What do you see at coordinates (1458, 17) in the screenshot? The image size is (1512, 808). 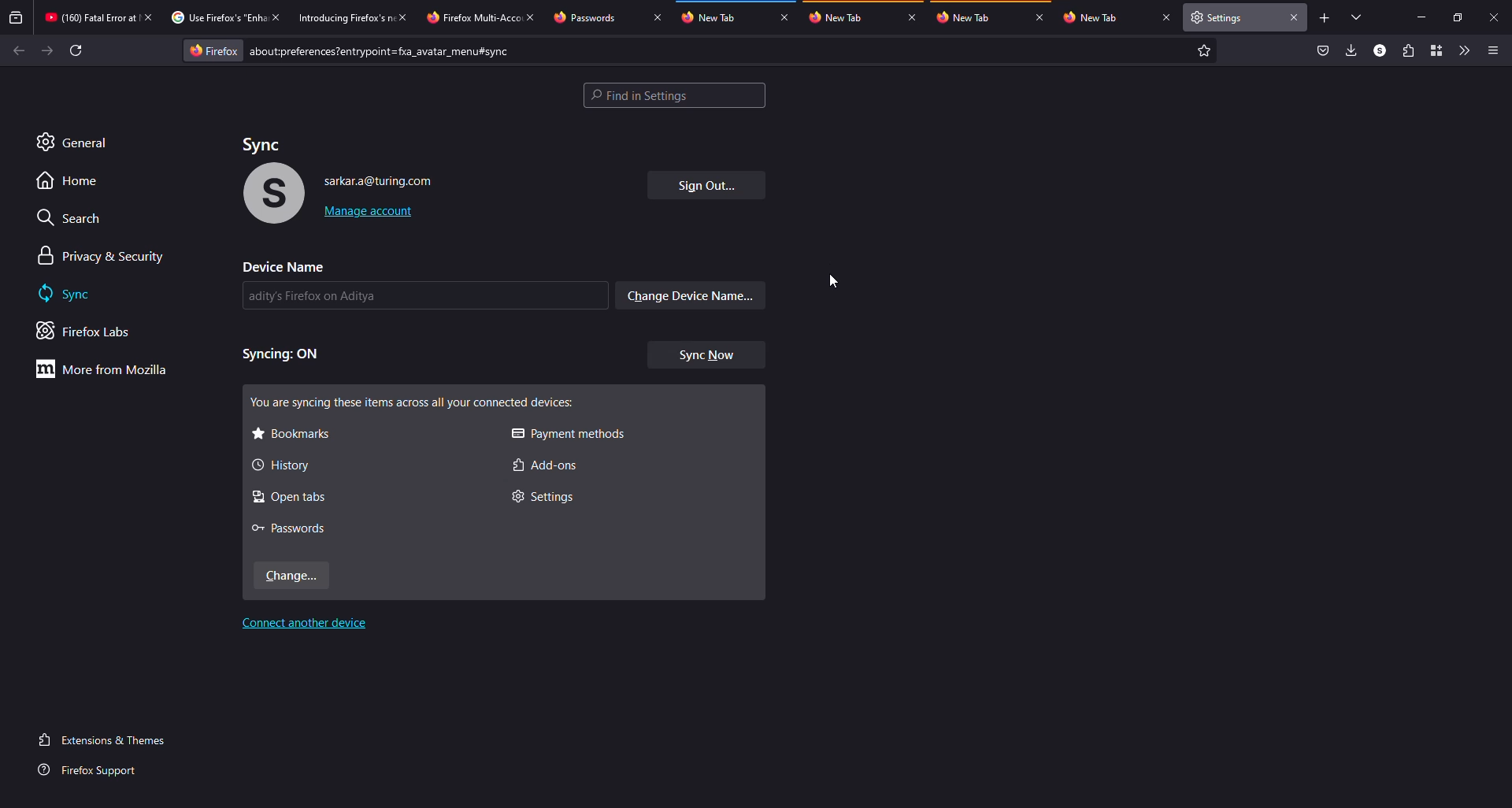 I see `maximize` at bounding box center [1458, 17].